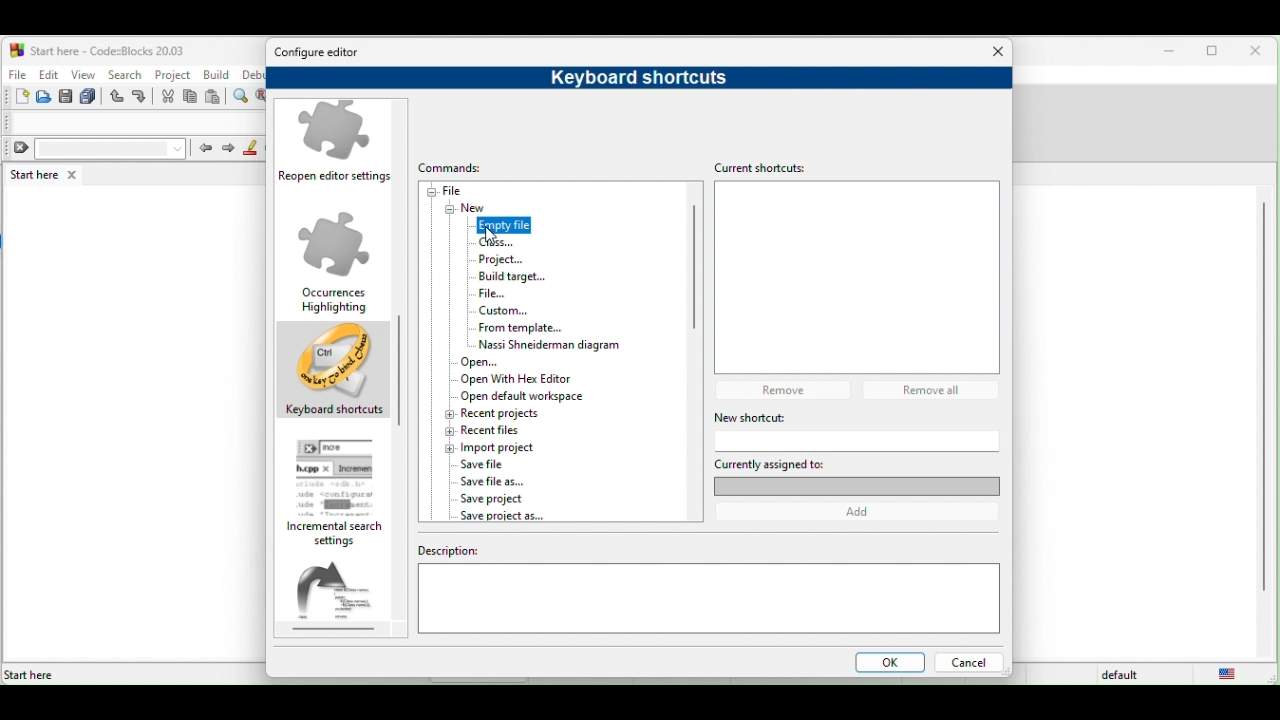 The width and height of the screenshot is (1280, 720). Describe the element at coordinates (1170, 52) in the screenshot. I see `minimize` at that location.